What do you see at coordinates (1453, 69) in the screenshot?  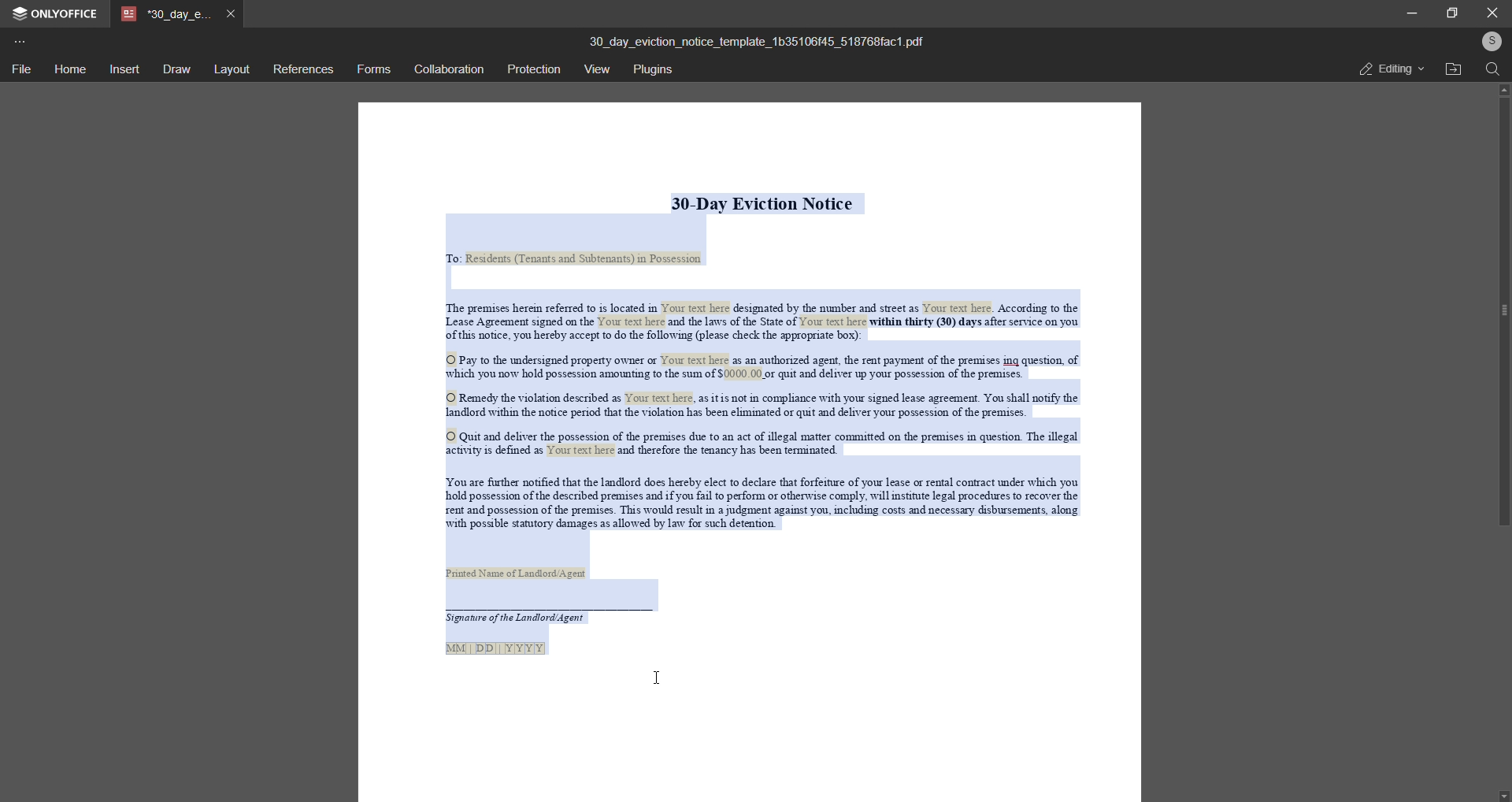 I see `open file location` at bounding box center [1453, 69].